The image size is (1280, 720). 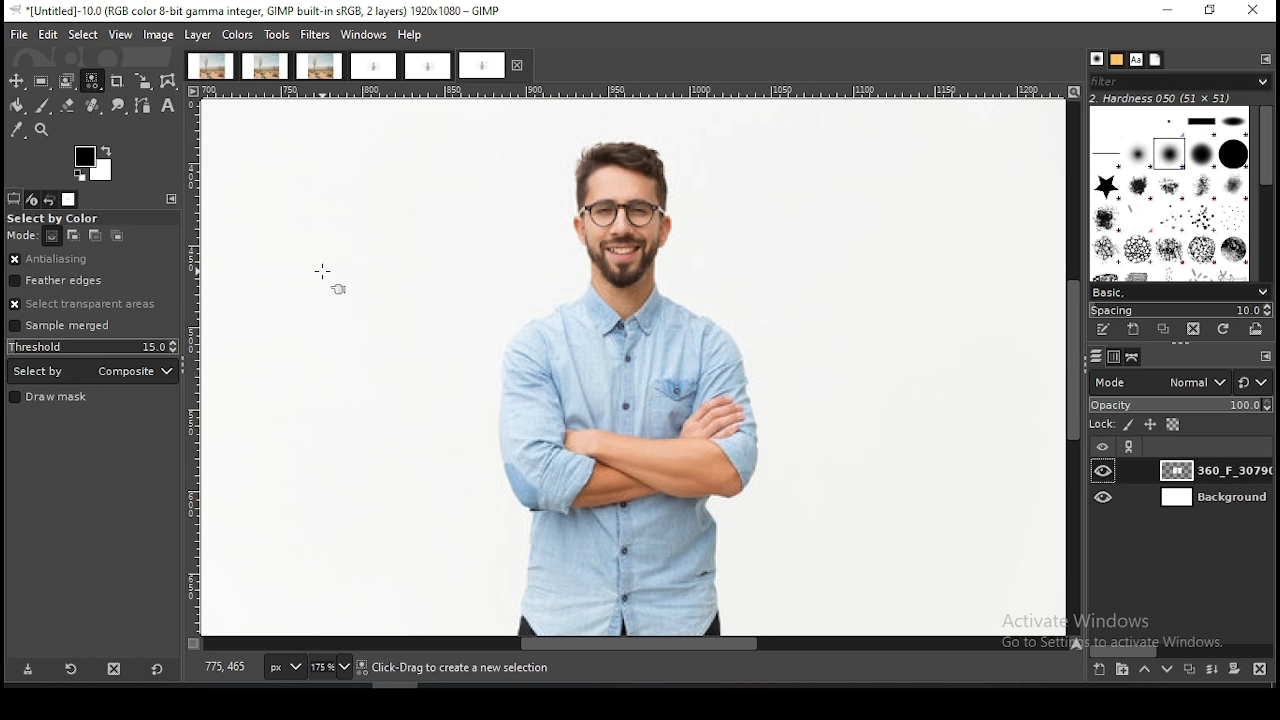 What do you see at coordinates (1182, 650) in the screenshot?
I see `scroll bar` at bounding box center [1182, 650].